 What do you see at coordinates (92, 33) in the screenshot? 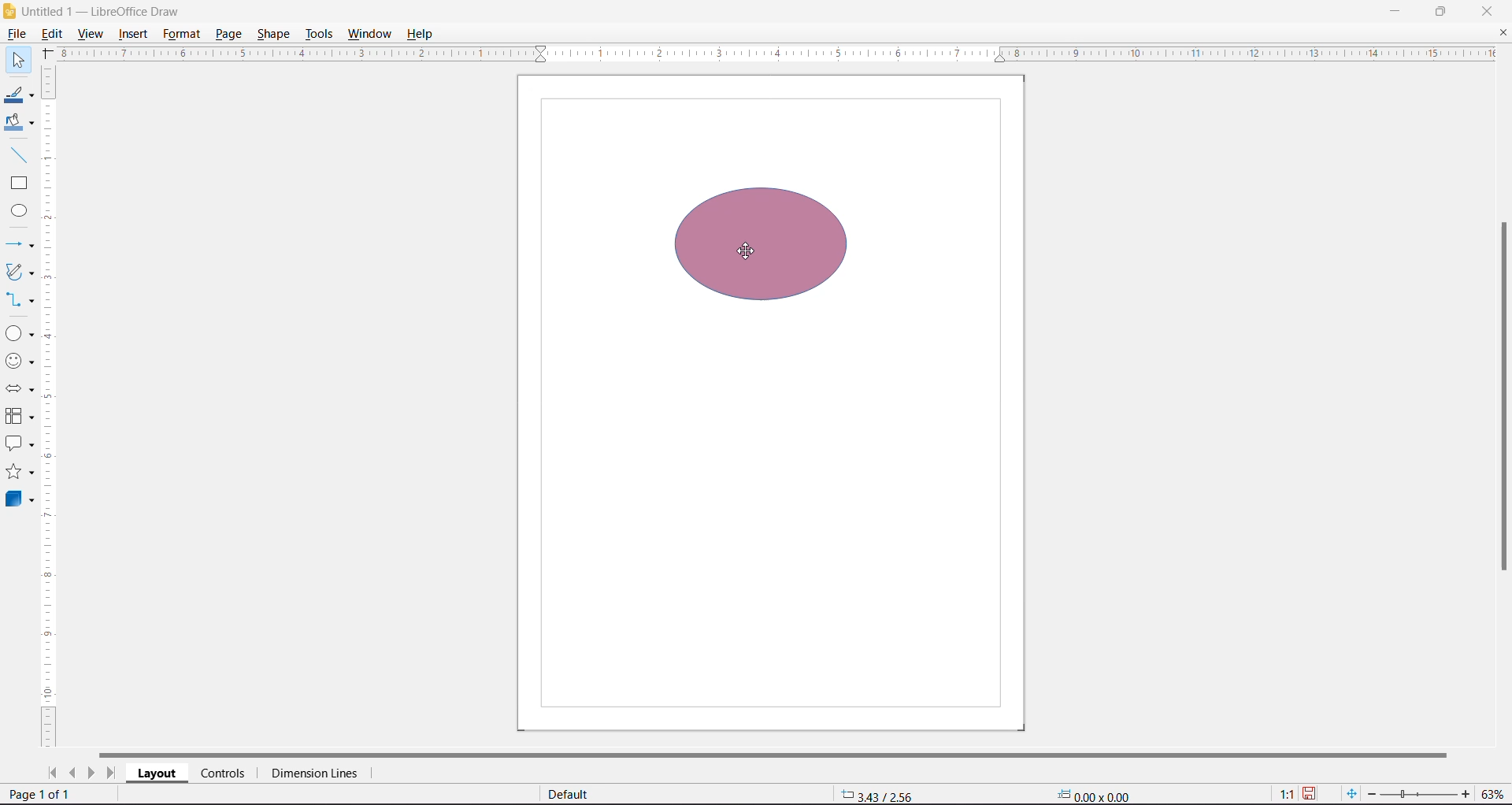
I see `View` at bounding box center [92, 33].